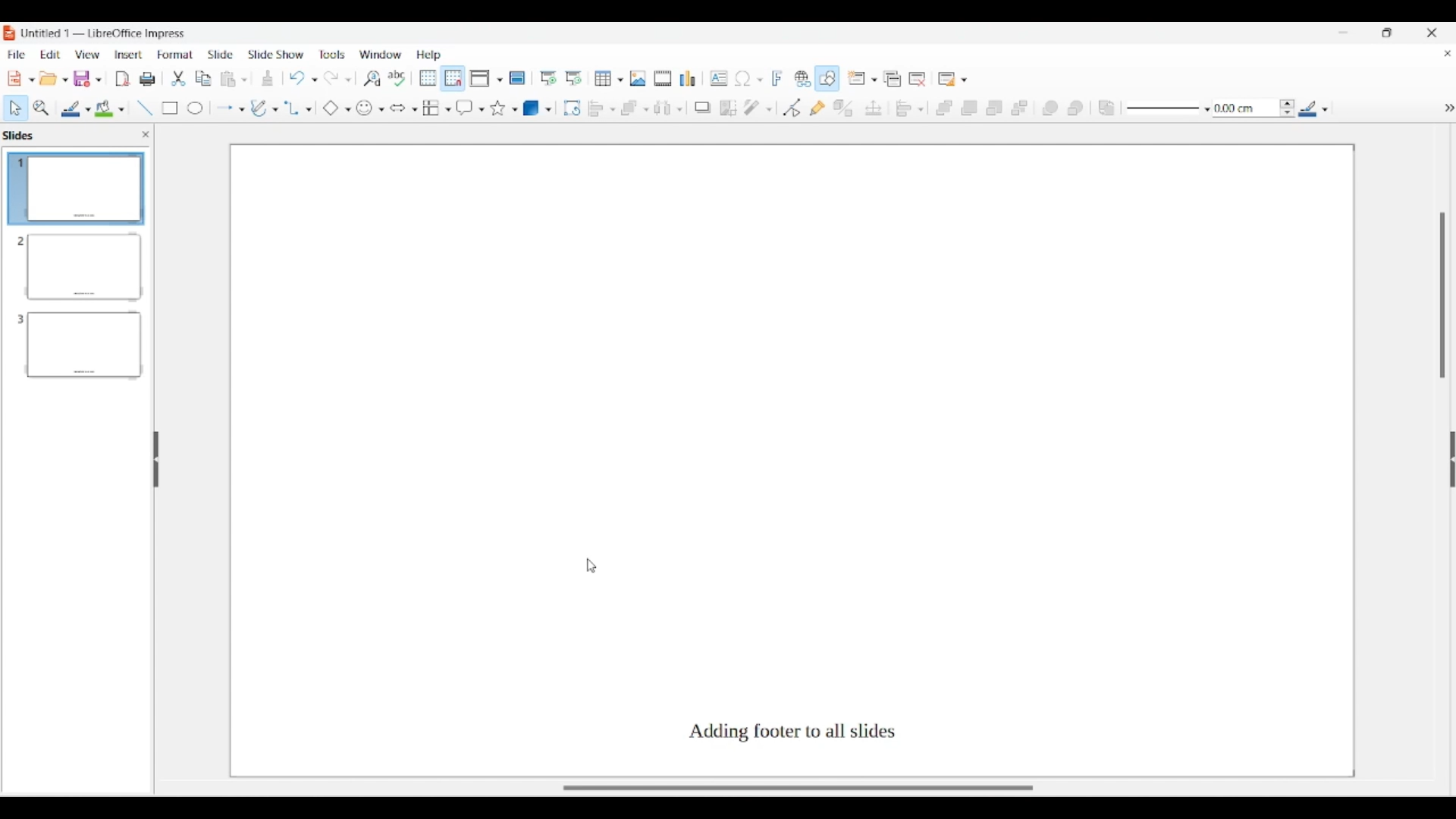  I want to click on Download, so click(268, 78).